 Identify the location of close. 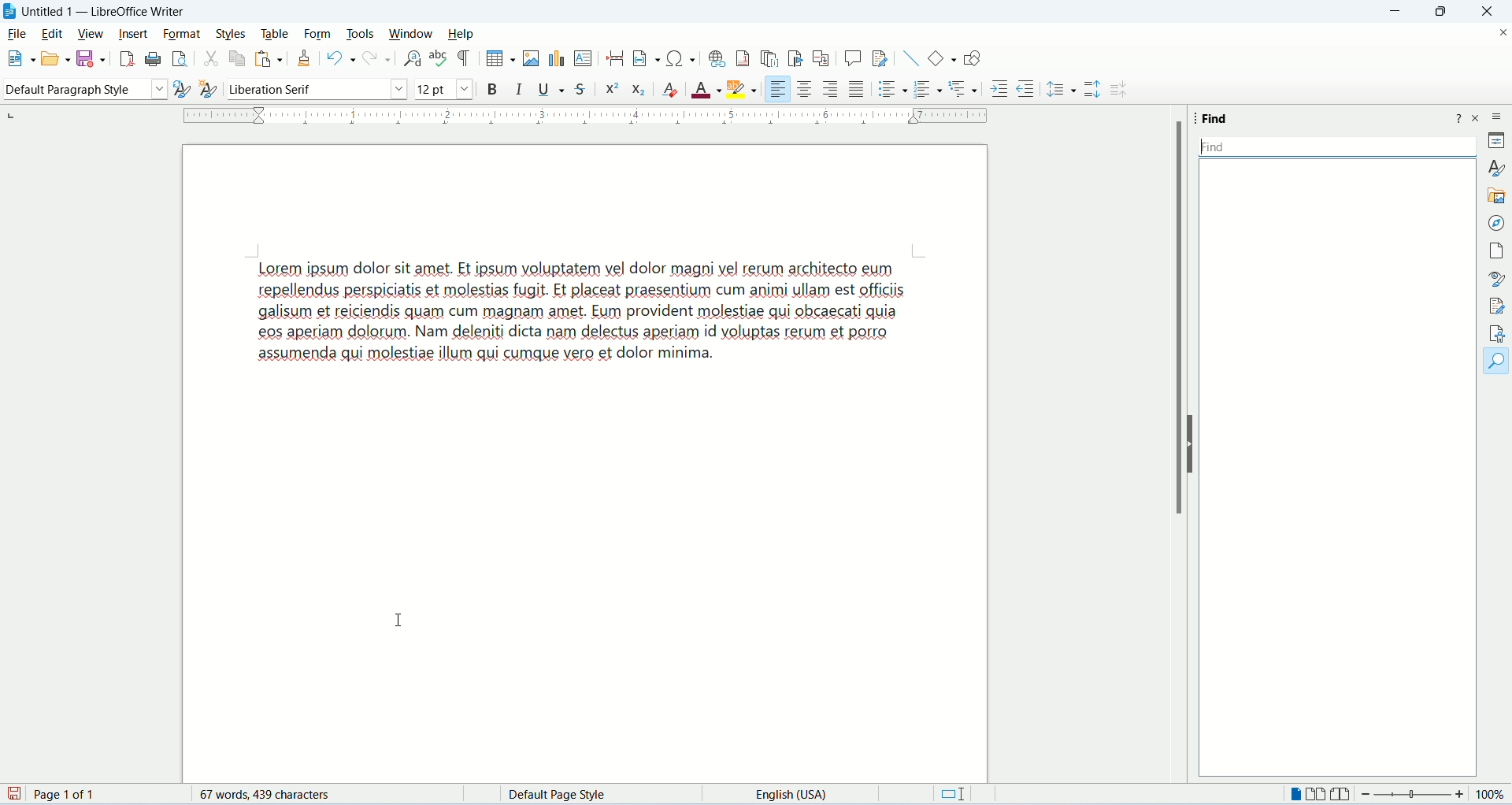
(1478, 117).